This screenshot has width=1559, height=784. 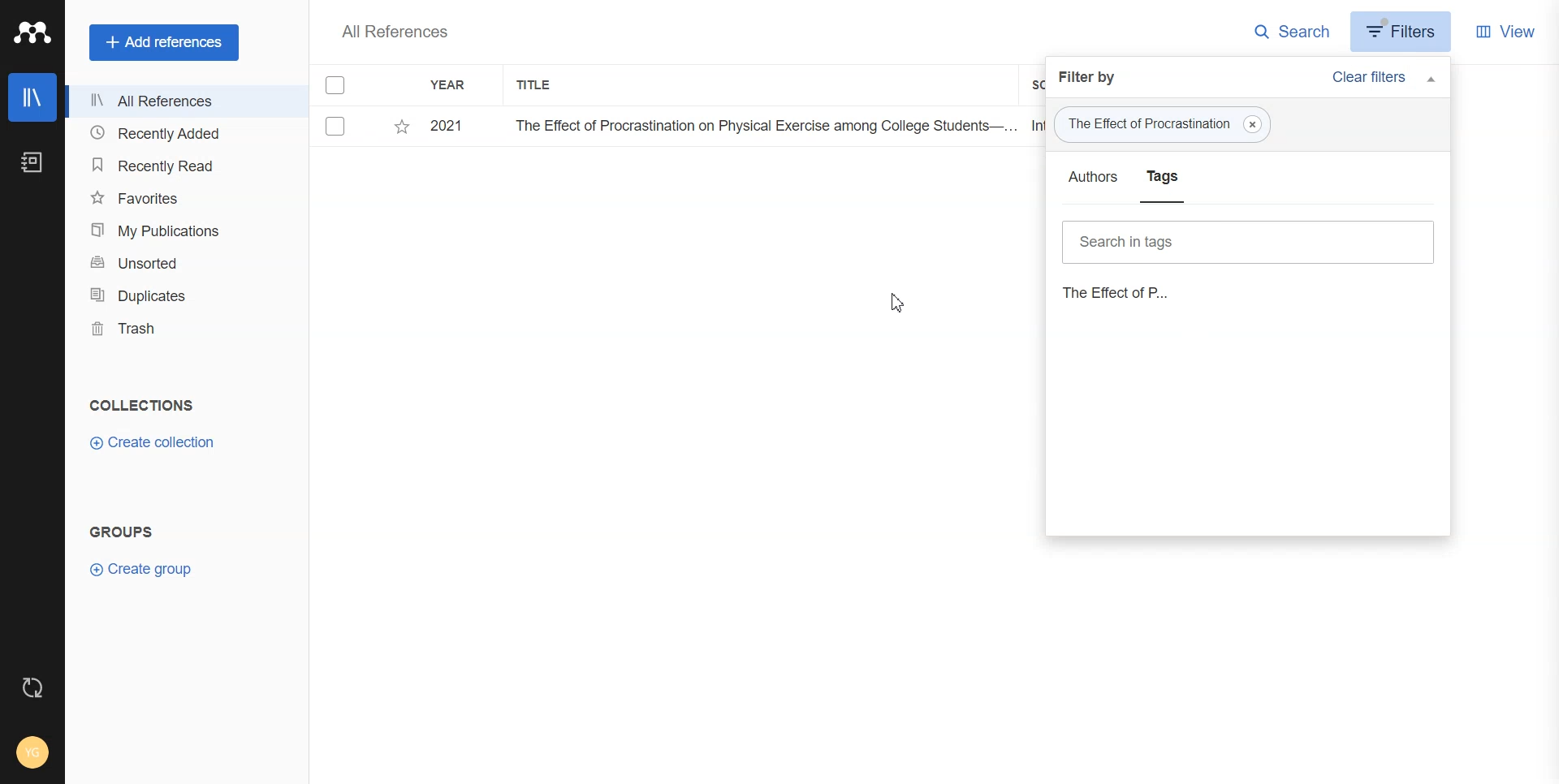 I want to click on Recently Added, so click(x=174, y=133).